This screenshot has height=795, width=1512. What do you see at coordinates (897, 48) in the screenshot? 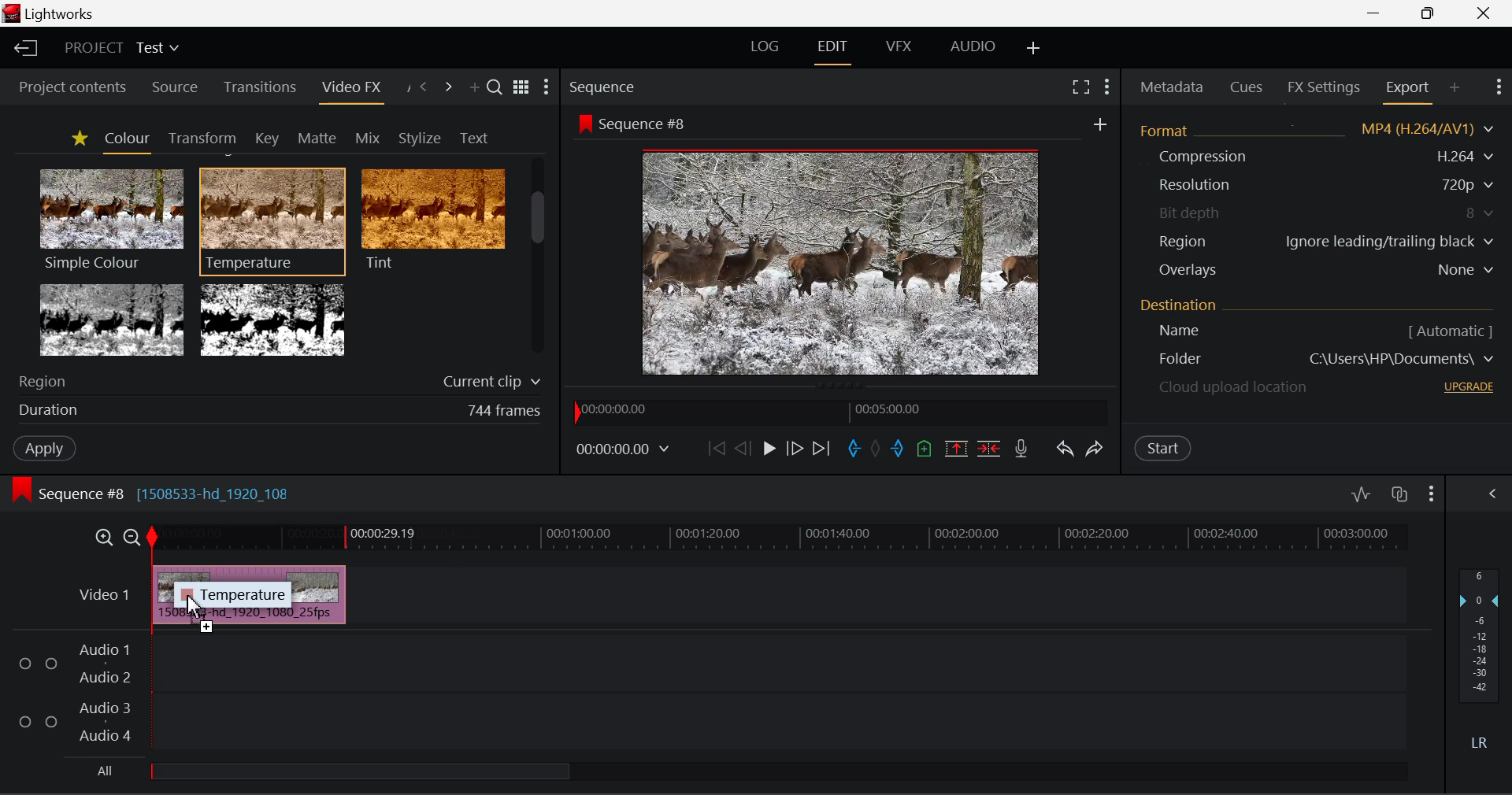
I see `VFX Layout` at bounding box center [897, 48].